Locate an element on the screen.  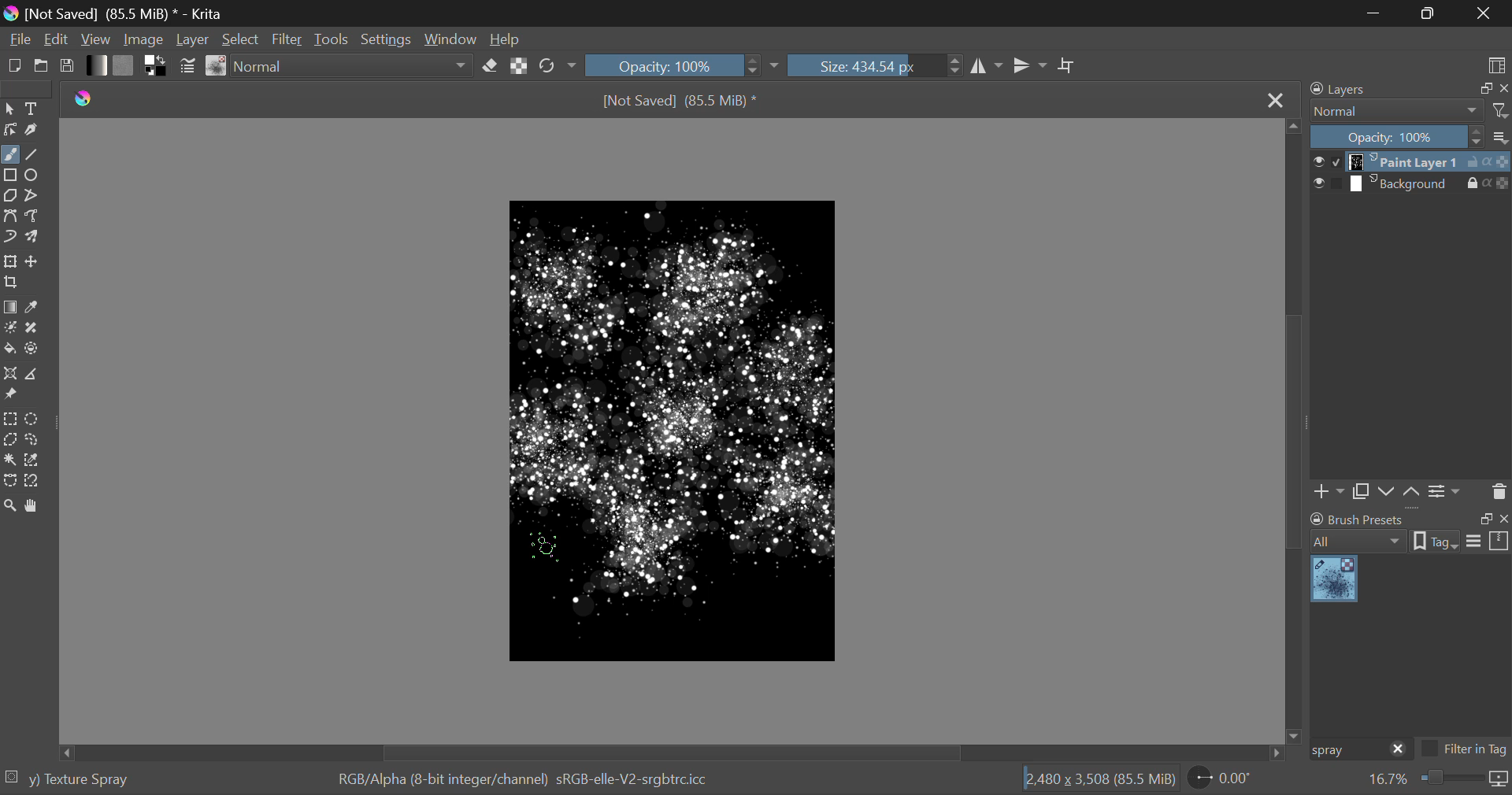
Crop is located at coordinates (1069, 66).